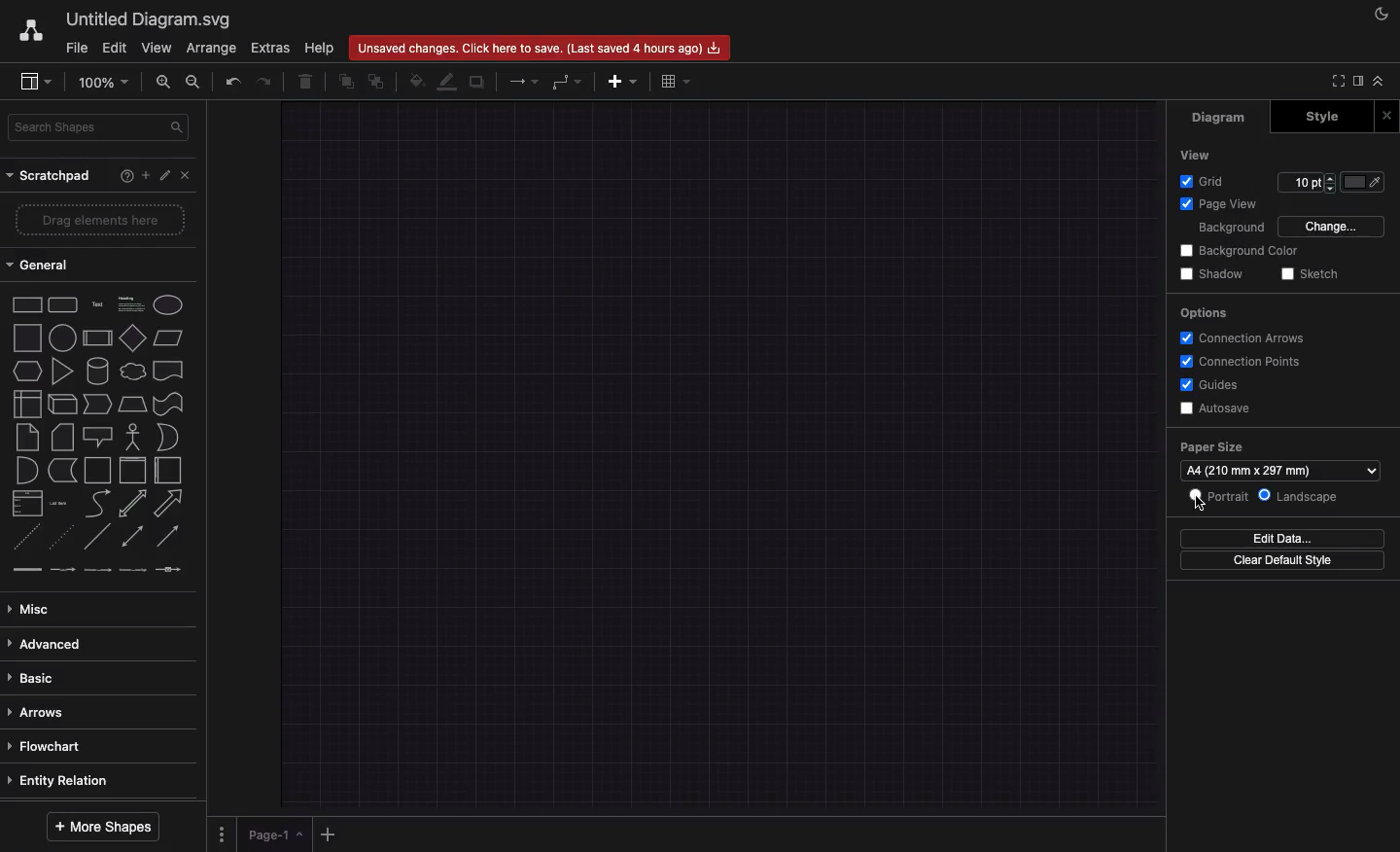  Describe the element at coordinates (379, 83) in the screenshot. I see `To back` at that location.